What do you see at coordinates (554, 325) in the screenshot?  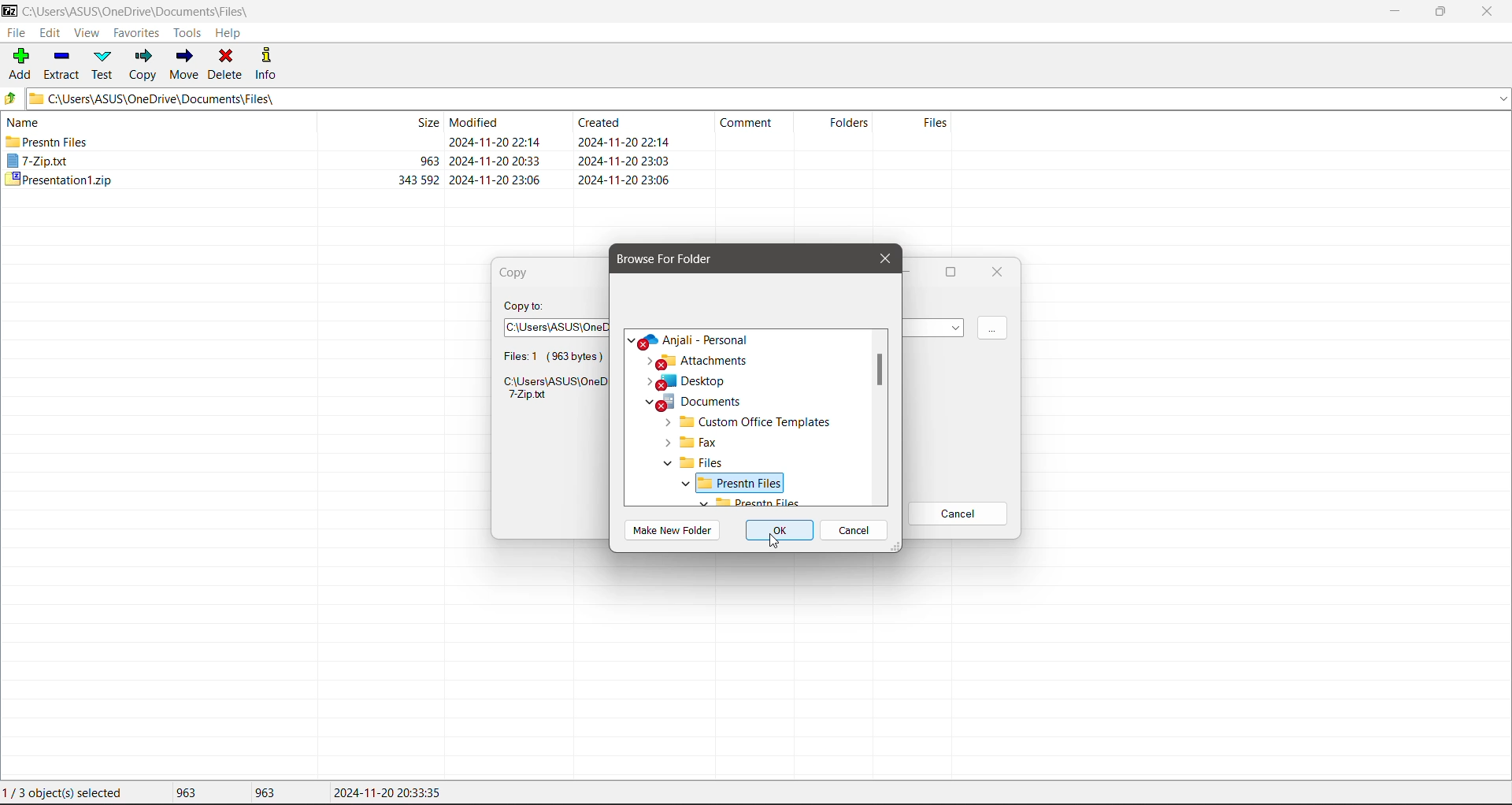 I see `Select a path to copy the selected file to` at bounding box center [554, 325].